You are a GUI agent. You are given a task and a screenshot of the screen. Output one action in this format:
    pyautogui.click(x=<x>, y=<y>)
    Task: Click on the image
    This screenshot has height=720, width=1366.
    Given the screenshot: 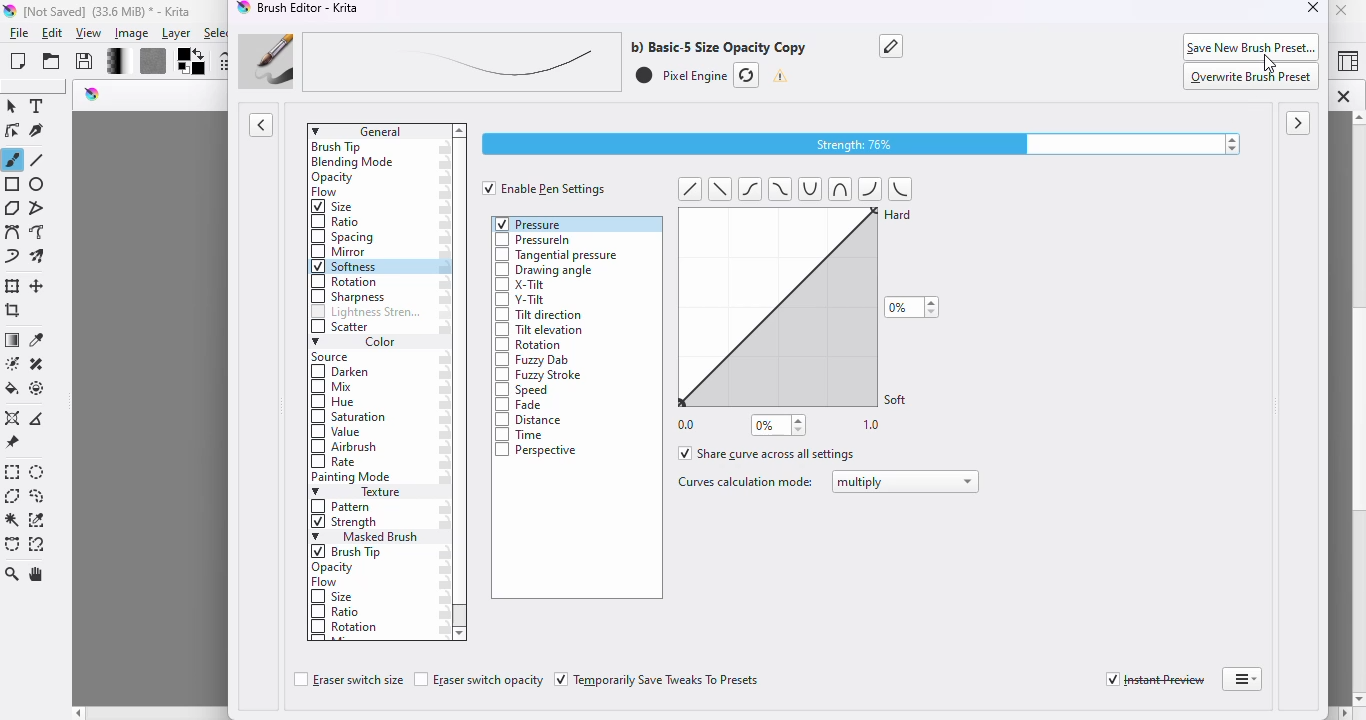 What is the action you would take?
    pyautogui.click(x=132, y=33)
    